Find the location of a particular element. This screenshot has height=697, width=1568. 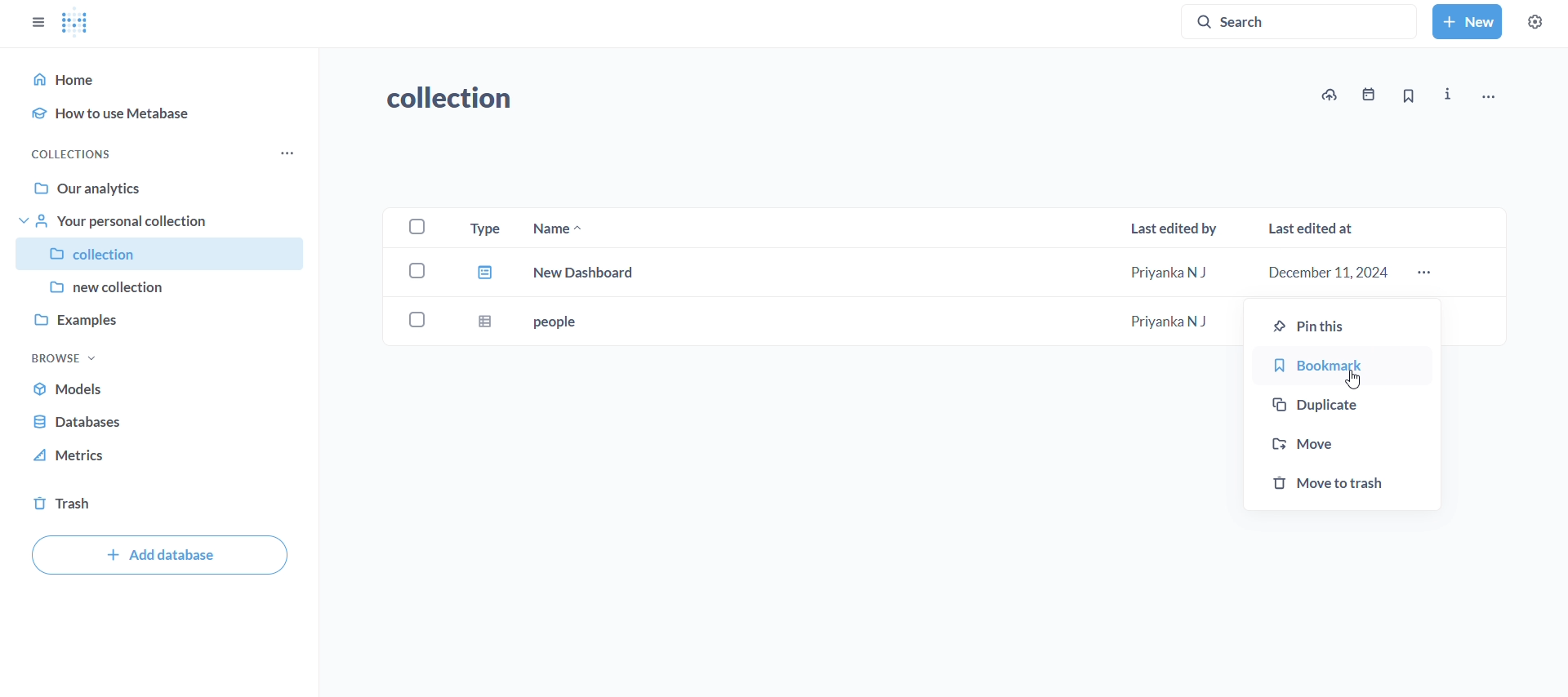

more is located at coordinates (289, 153).